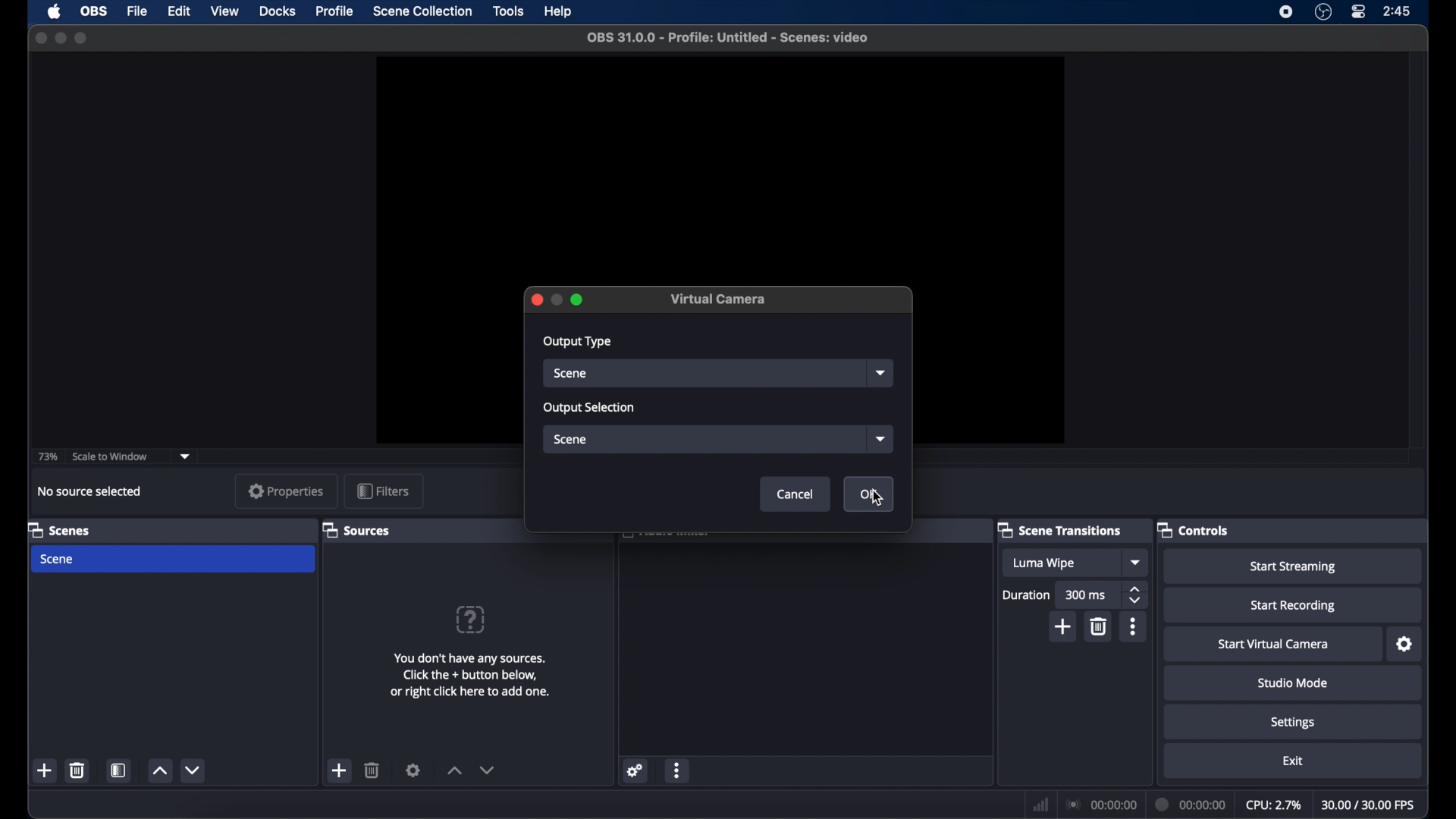 The image size is (1456, 819). Describe the element at coordinates (90, 491) in the screenshot. I see `no source selected` at that location.